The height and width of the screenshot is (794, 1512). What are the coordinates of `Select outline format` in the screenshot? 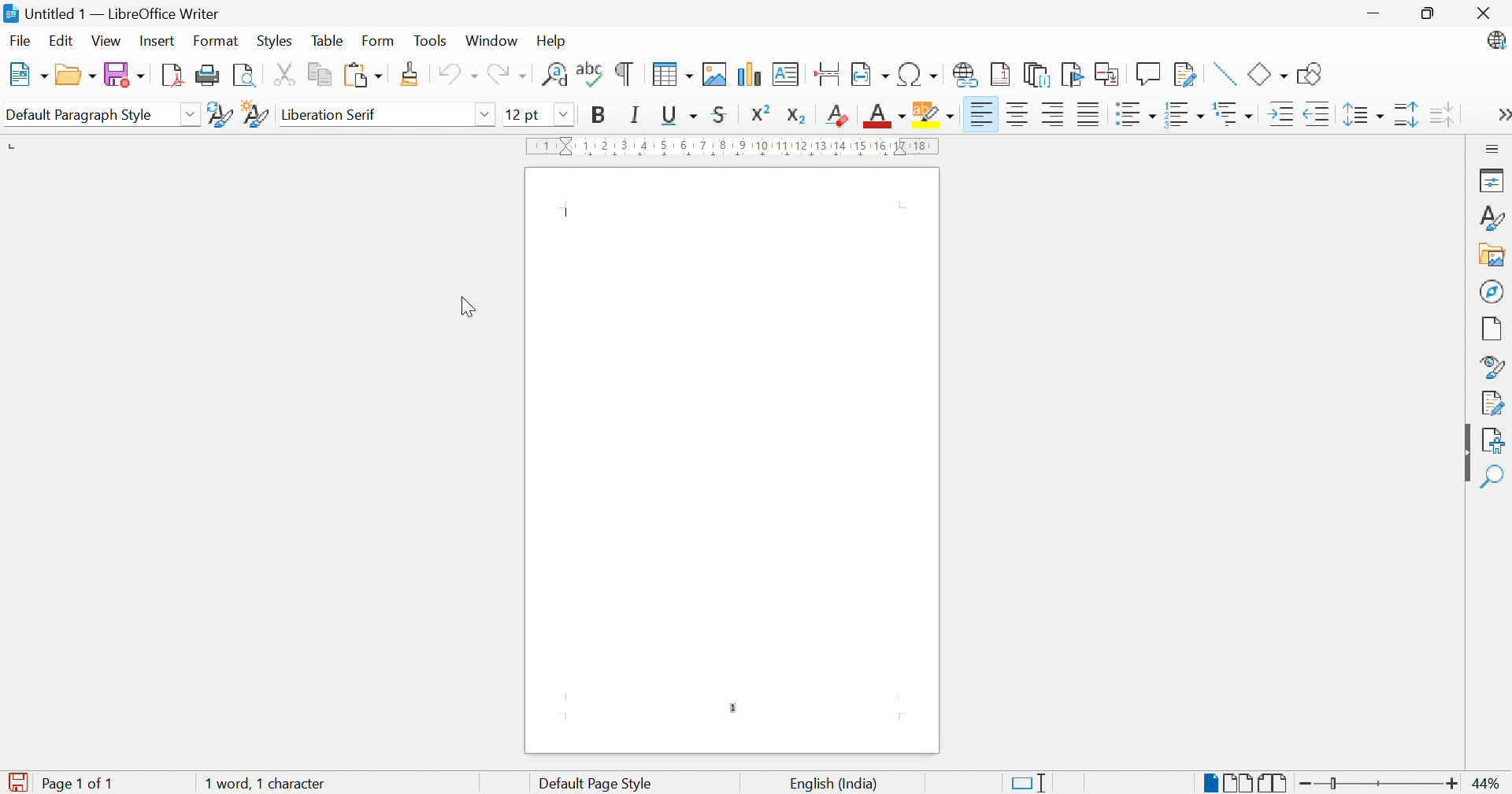 It's located at (1236, 115).